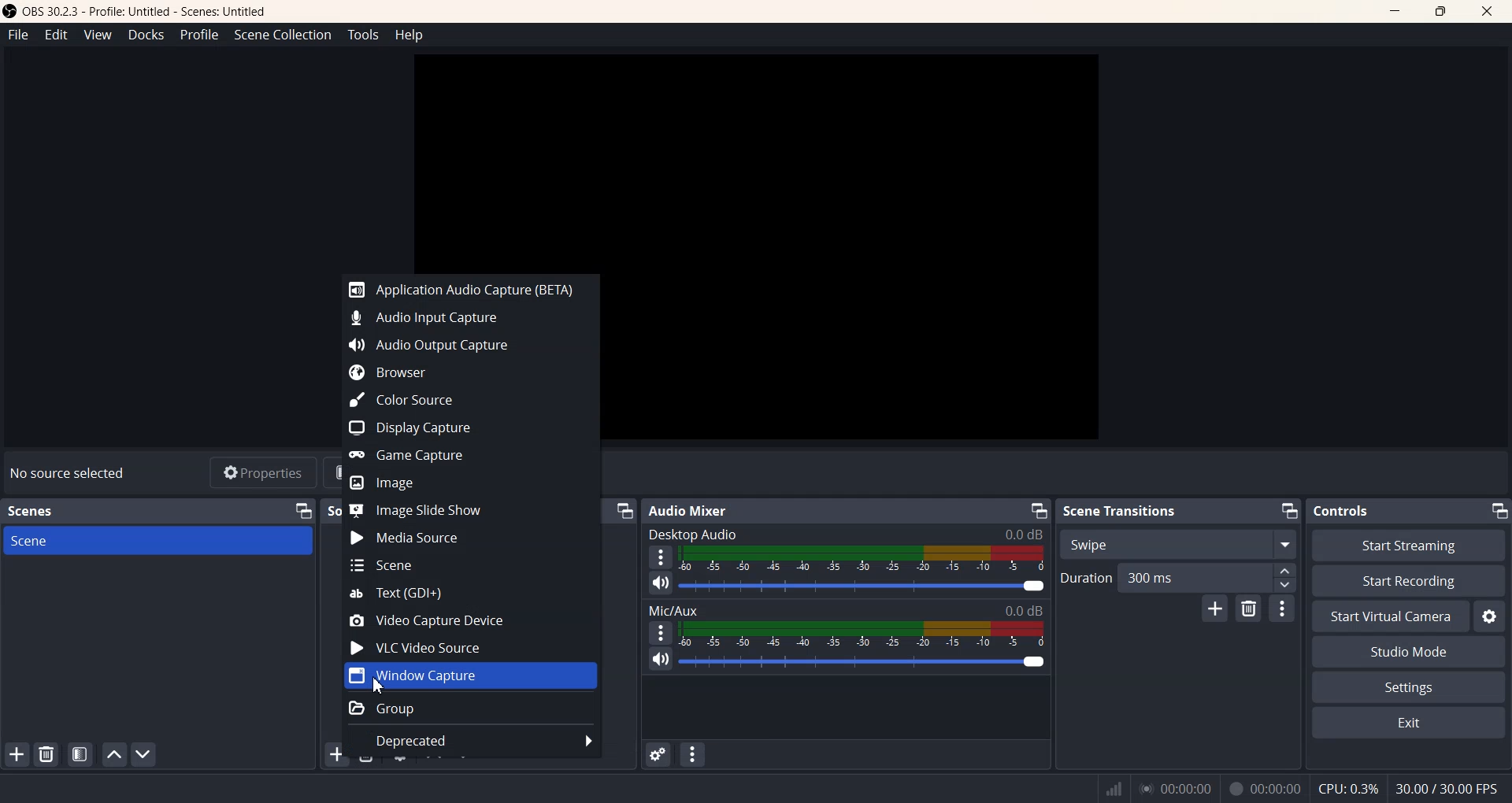 This screenshot has height=803, width=1512. I want to click on Close, so click(1488, 13).